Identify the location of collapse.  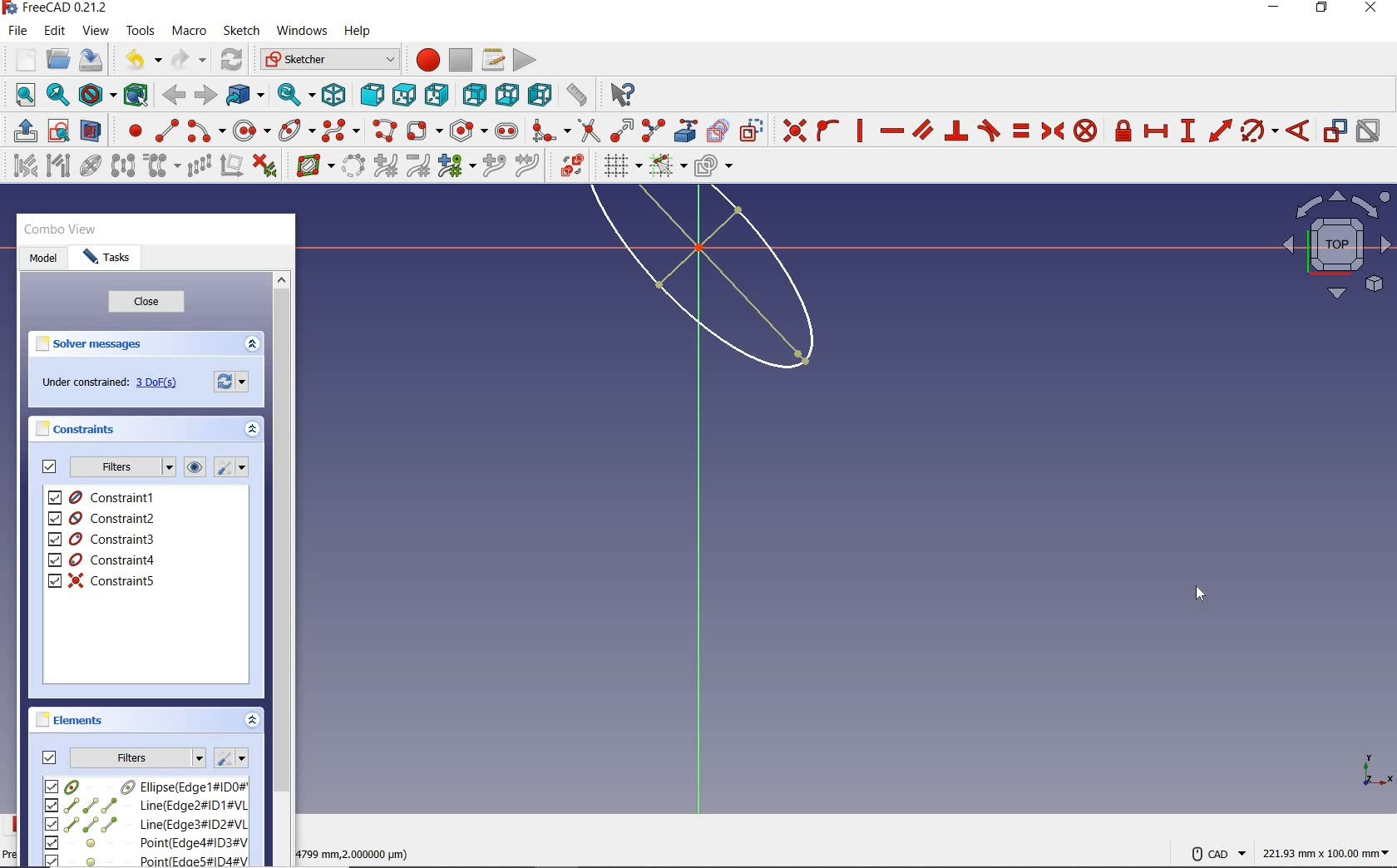
(251, 345).